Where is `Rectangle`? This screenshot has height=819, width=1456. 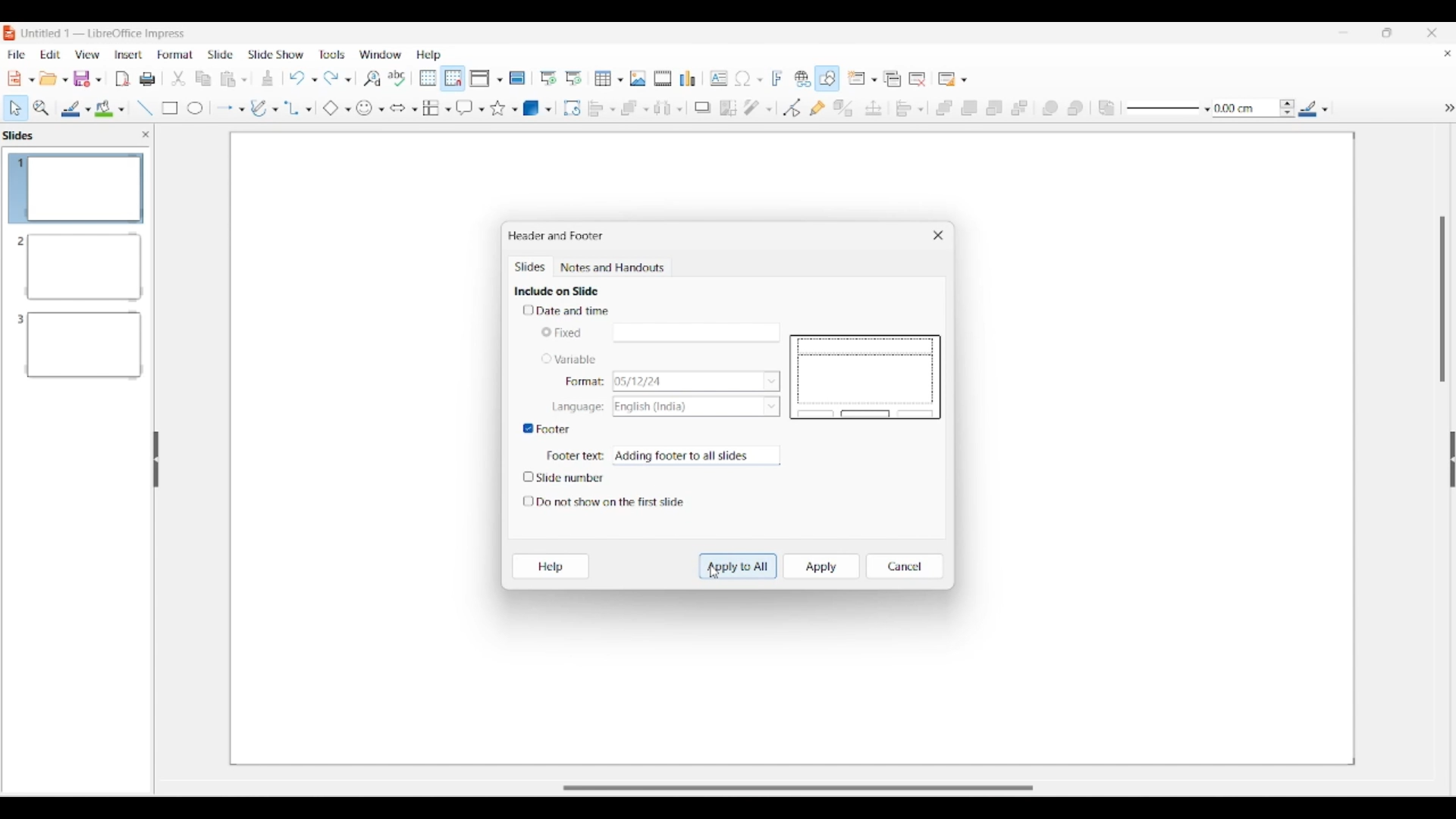
Rectangle is located at coordinates (165, 106).